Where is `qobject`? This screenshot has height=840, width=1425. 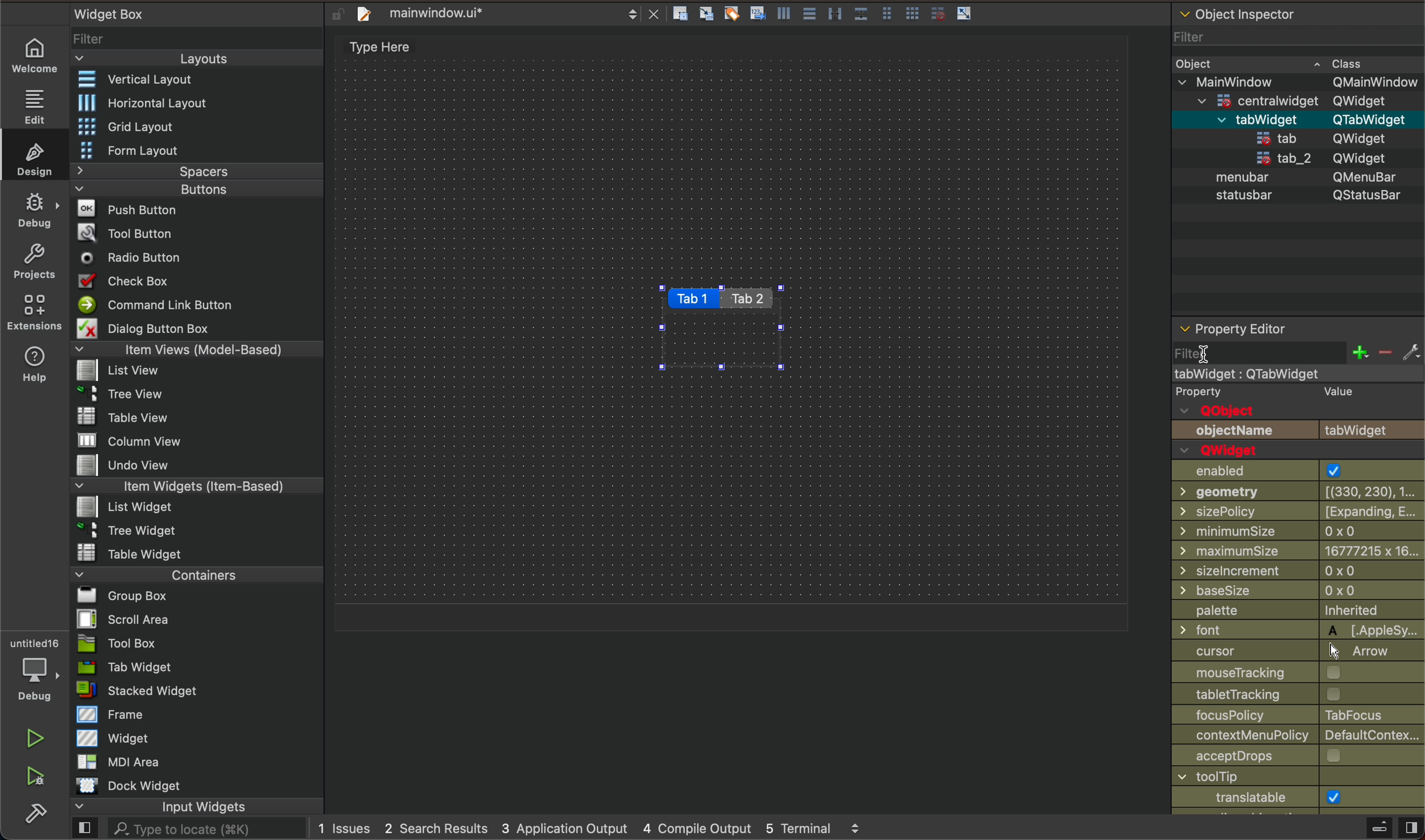
qobject is located at coordinates (1295, 400).